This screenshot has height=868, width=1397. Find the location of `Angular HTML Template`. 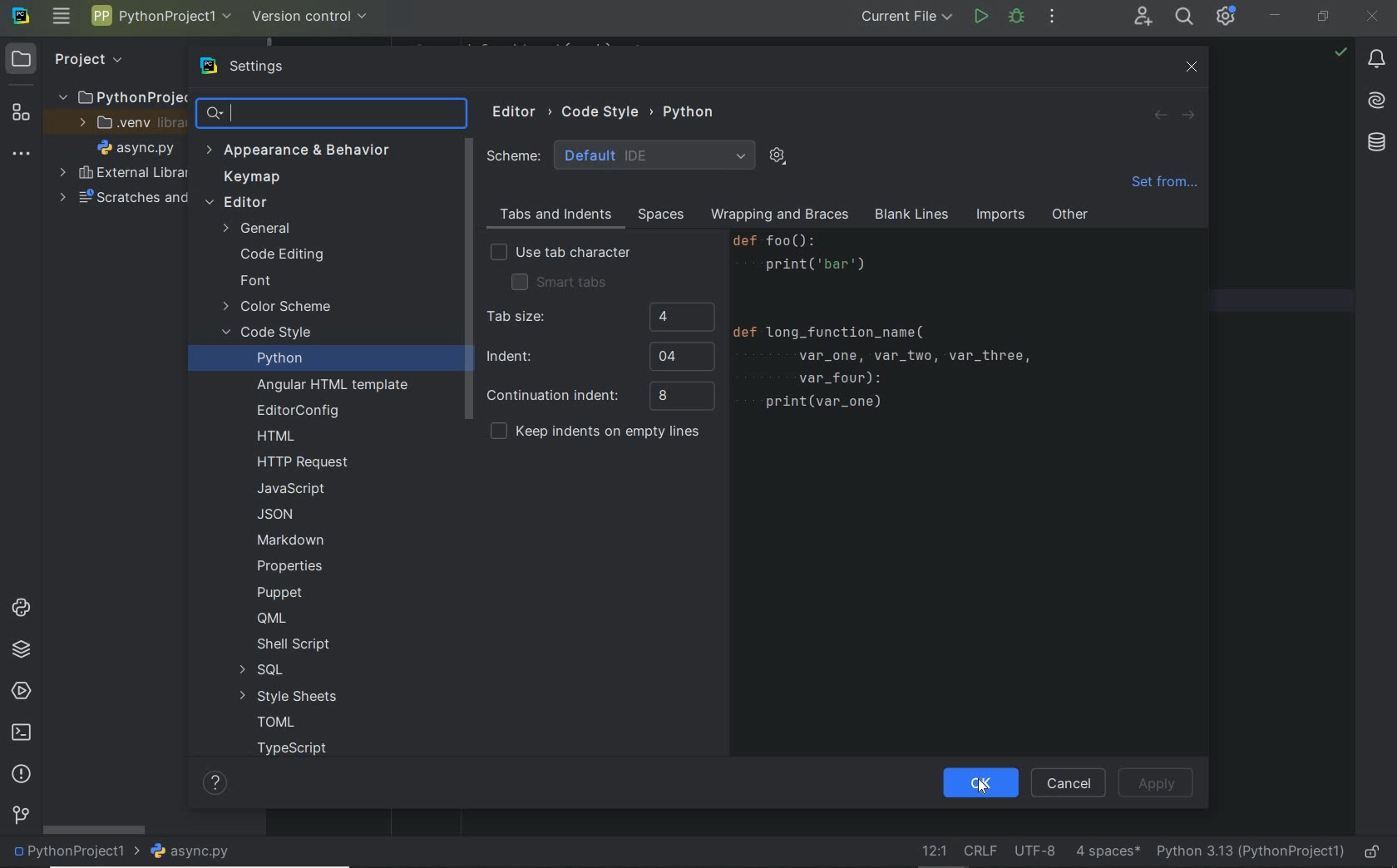

Angular HTML Template is located at coordinates (333, 387).